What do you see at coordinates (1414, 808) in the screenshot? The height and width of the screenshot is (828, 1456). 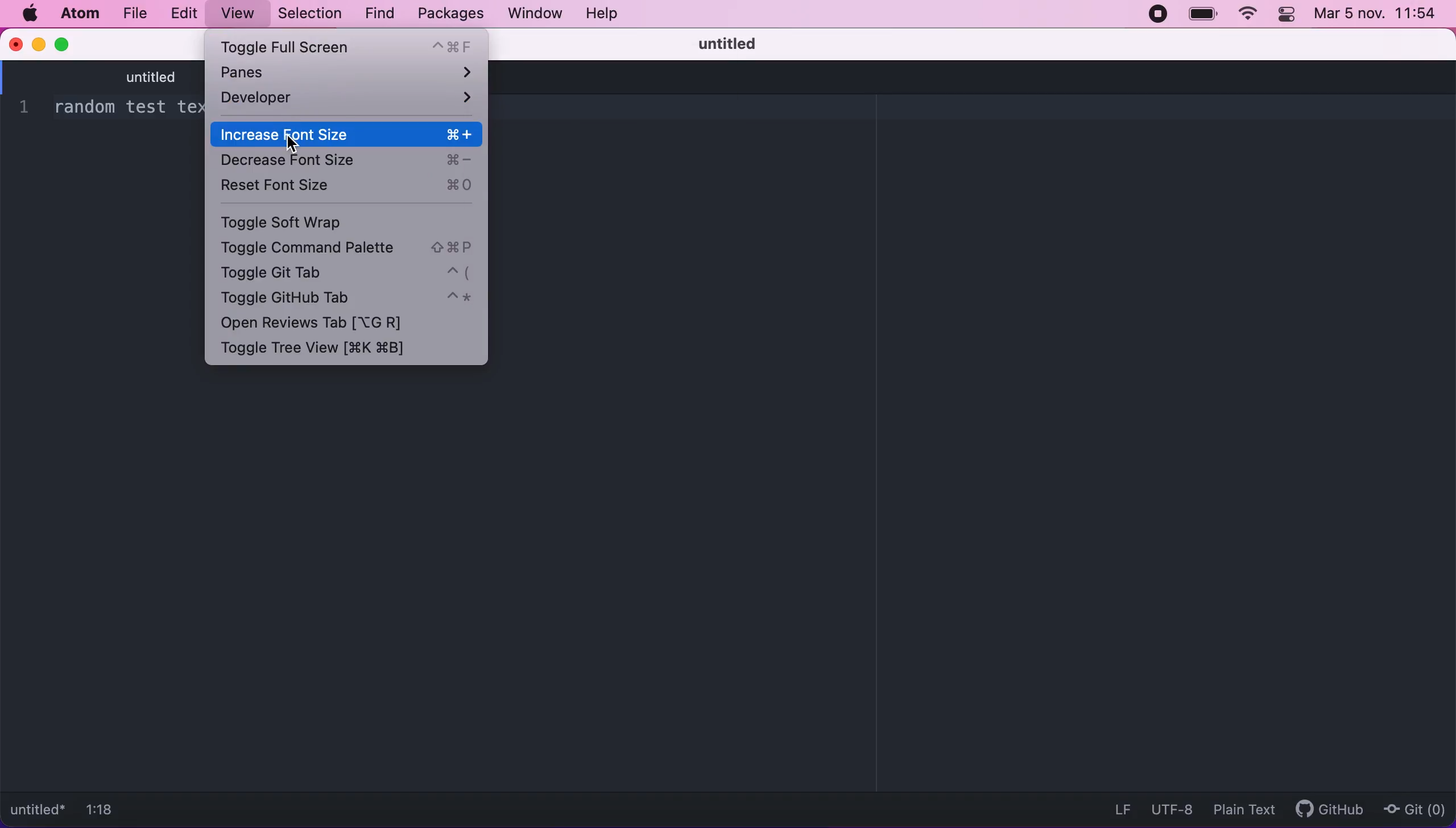 I see `Git (0)` at bounding box center [1414, 808].